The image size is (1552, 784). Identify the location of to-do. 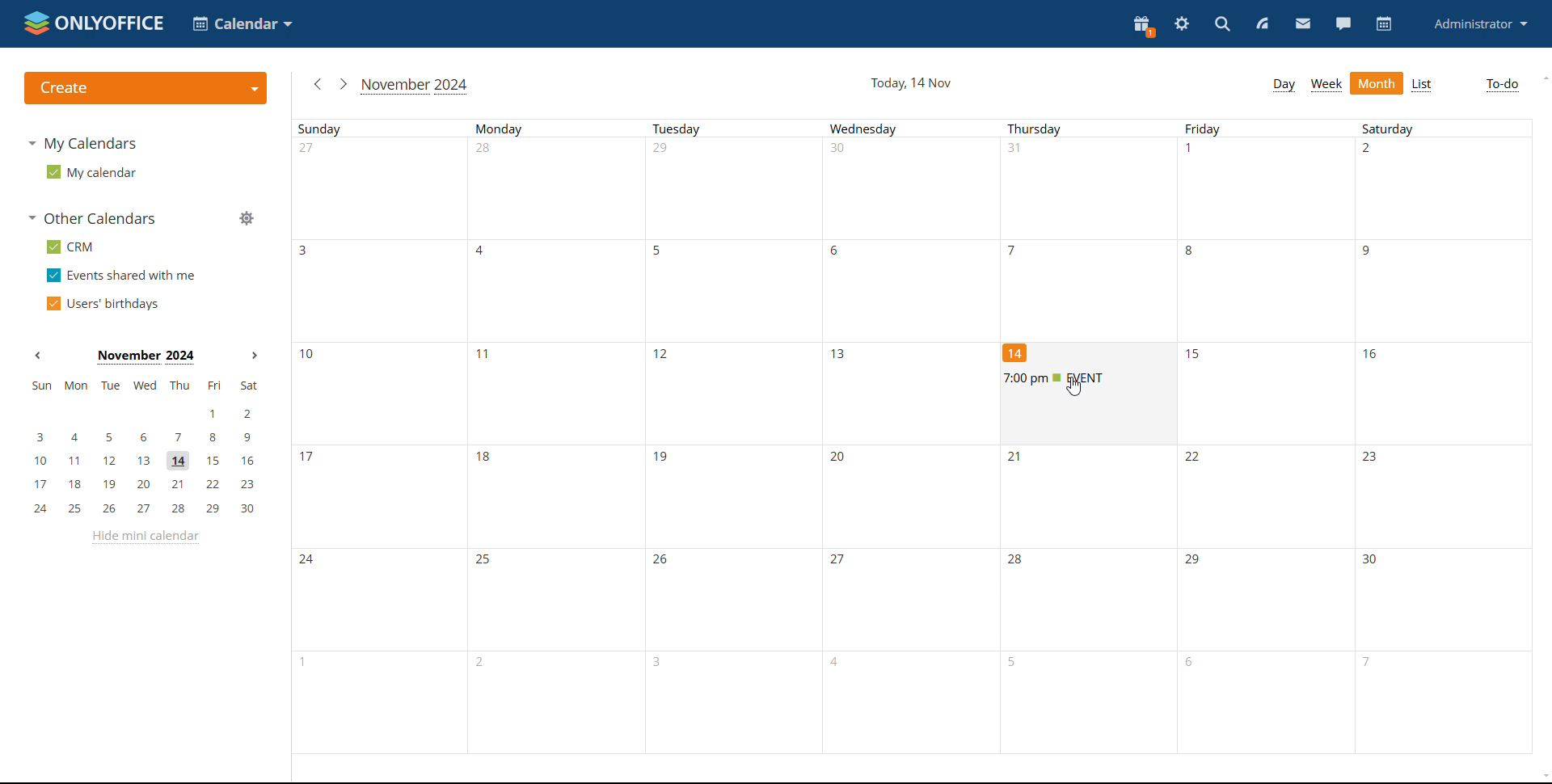
(1502, 86).